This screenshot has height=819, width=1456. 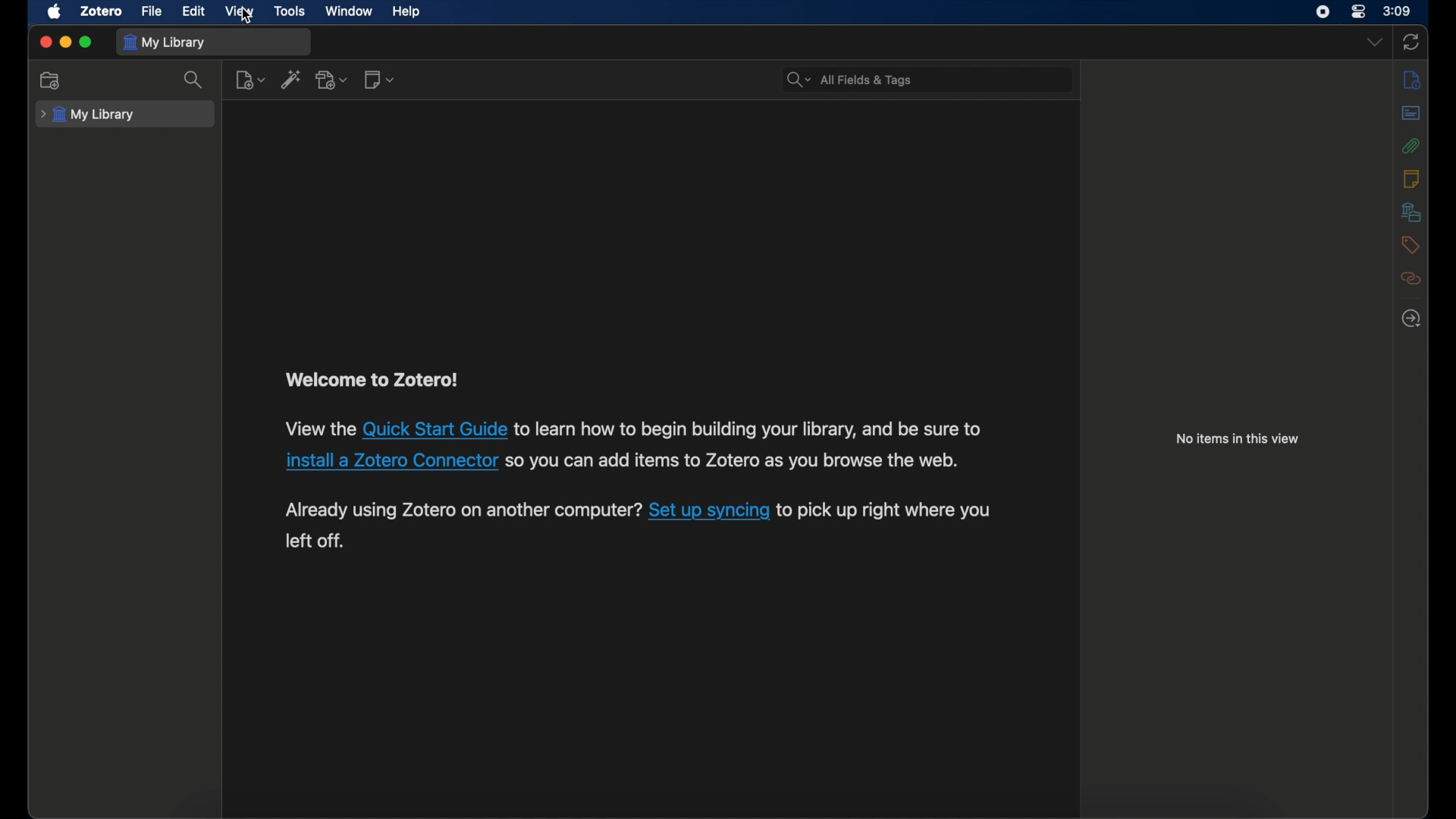 I want to click on collection, so click(x=51, y=80).